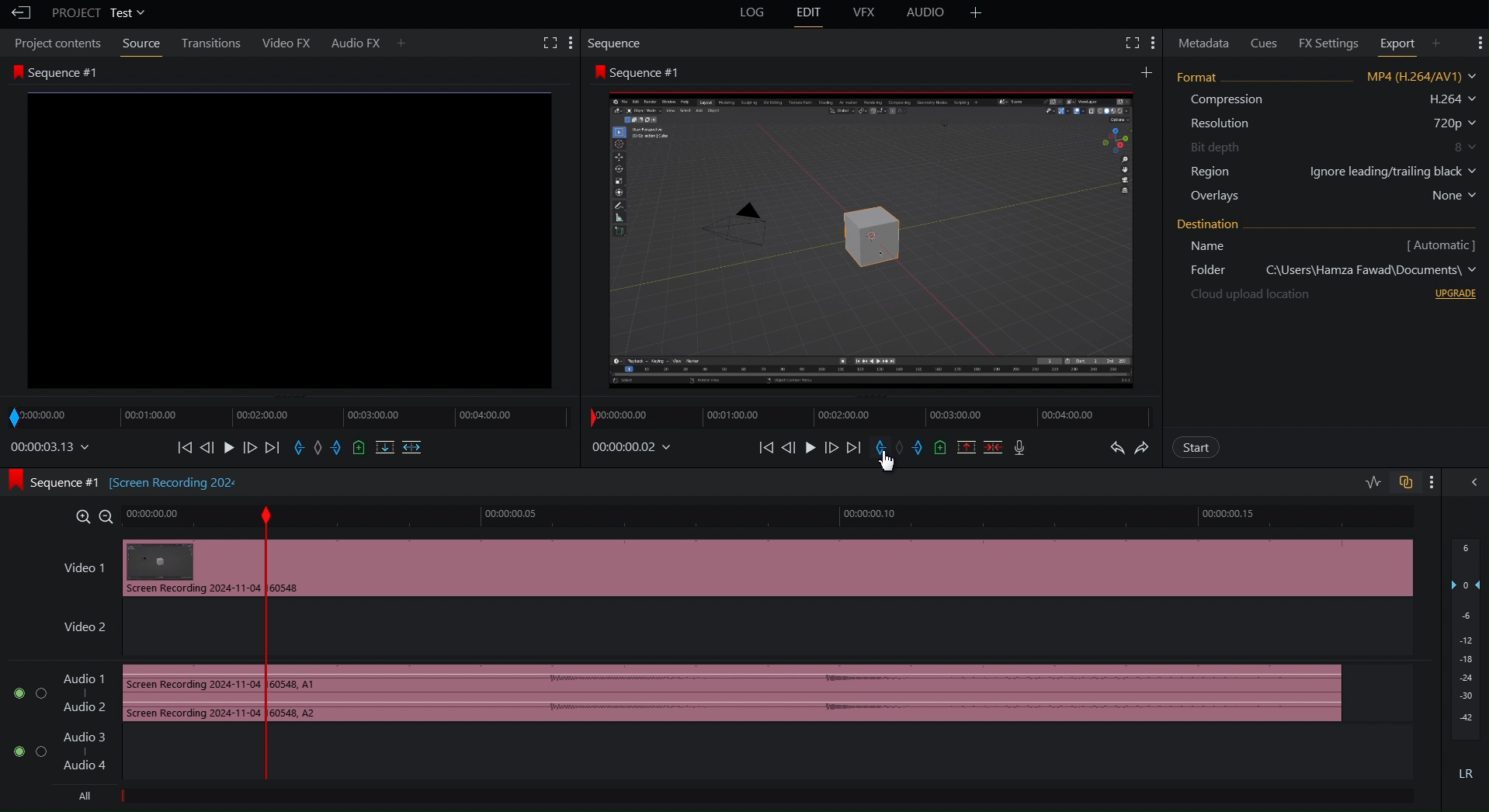 The image size is (1489, 812). I want to click on All, so click(87, 800).